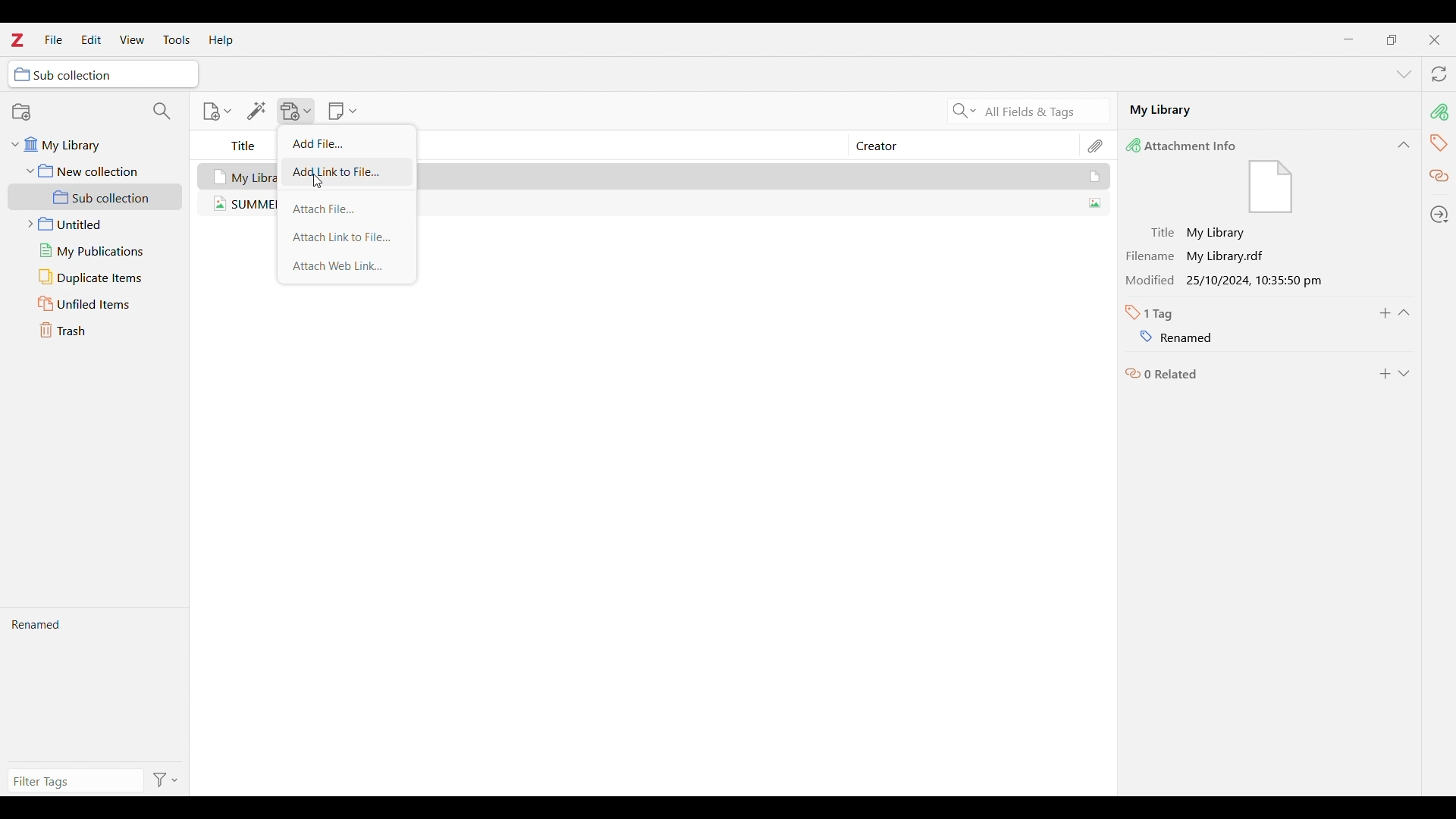 This screenshot has height=819, width=1456. Describe the element at coordinates (240, 175) in the screenshot. I see `My Library` at that location.